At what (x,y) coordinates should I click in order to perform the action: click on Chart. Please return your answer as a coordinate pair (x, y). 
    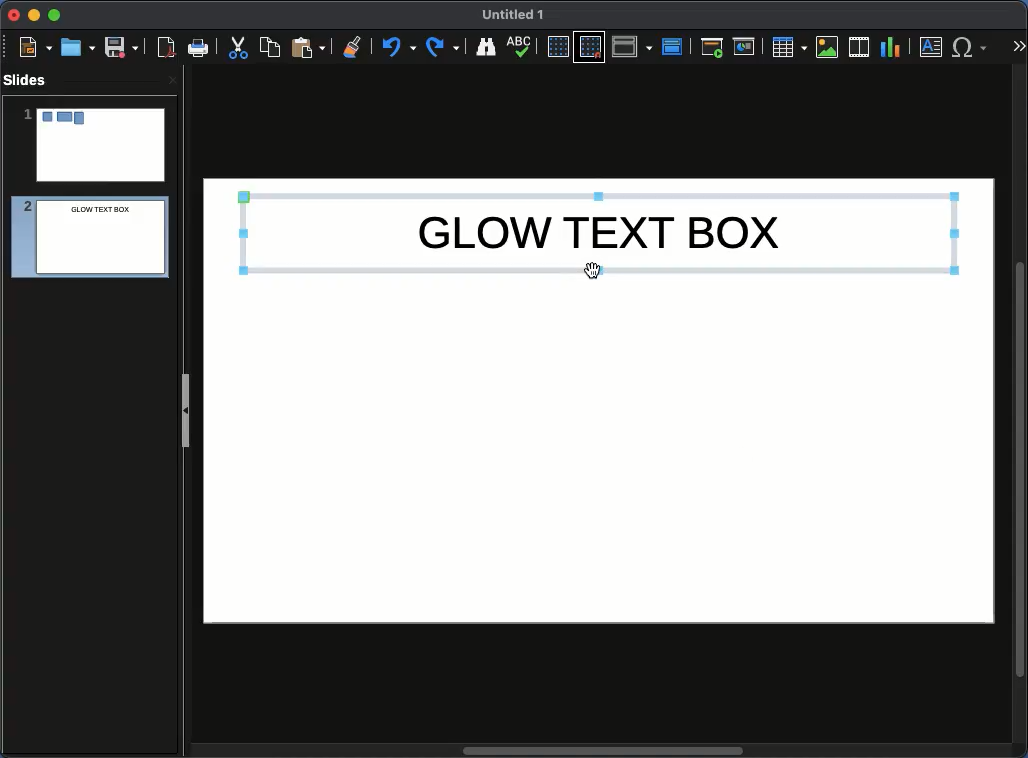
    Looking at the image, I should click on (890, 48).